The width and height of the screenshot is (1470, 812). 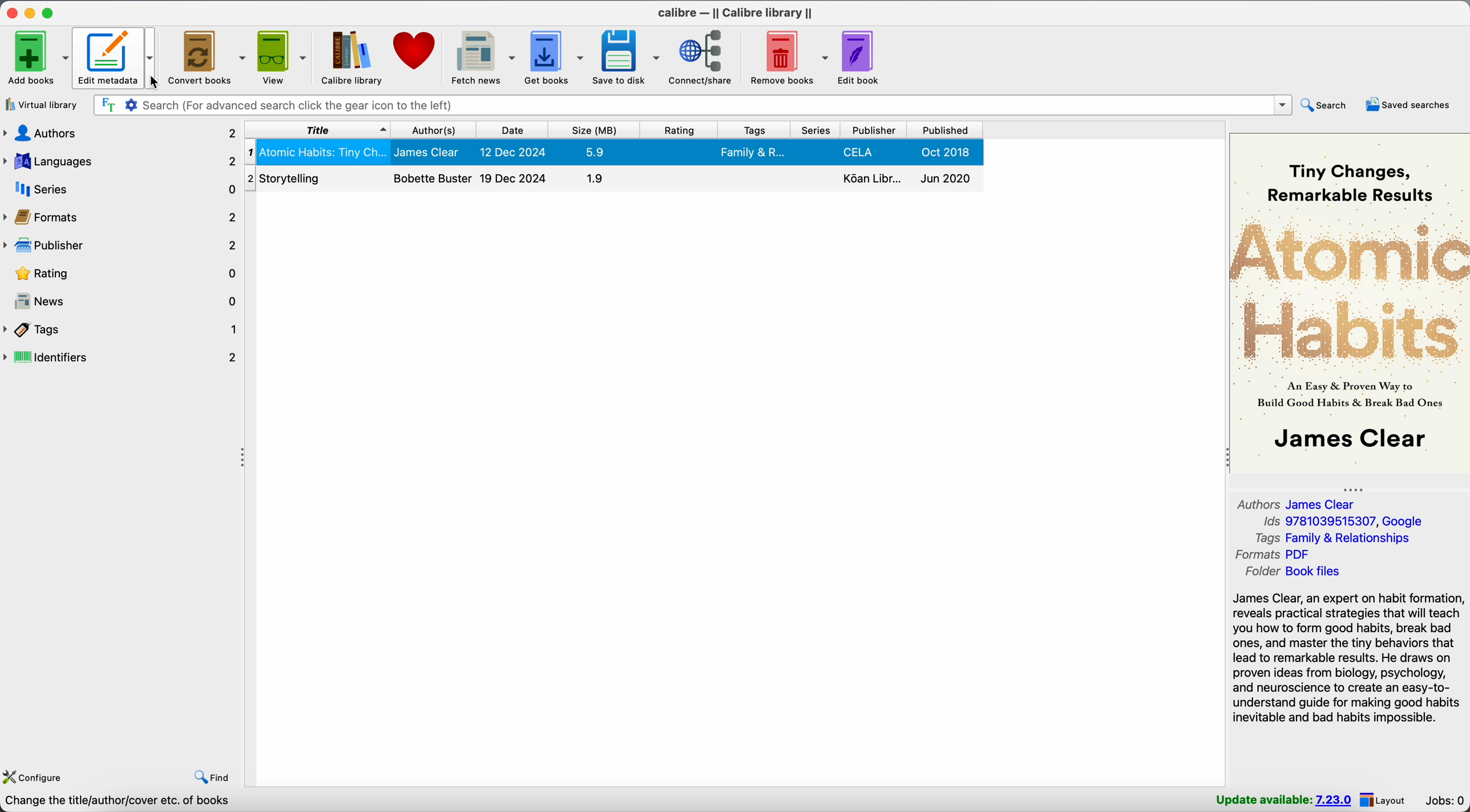 What do you see at coordinates (1383, 800) in the screenshot?
I see `layout` at bounding box center [1383, 800].